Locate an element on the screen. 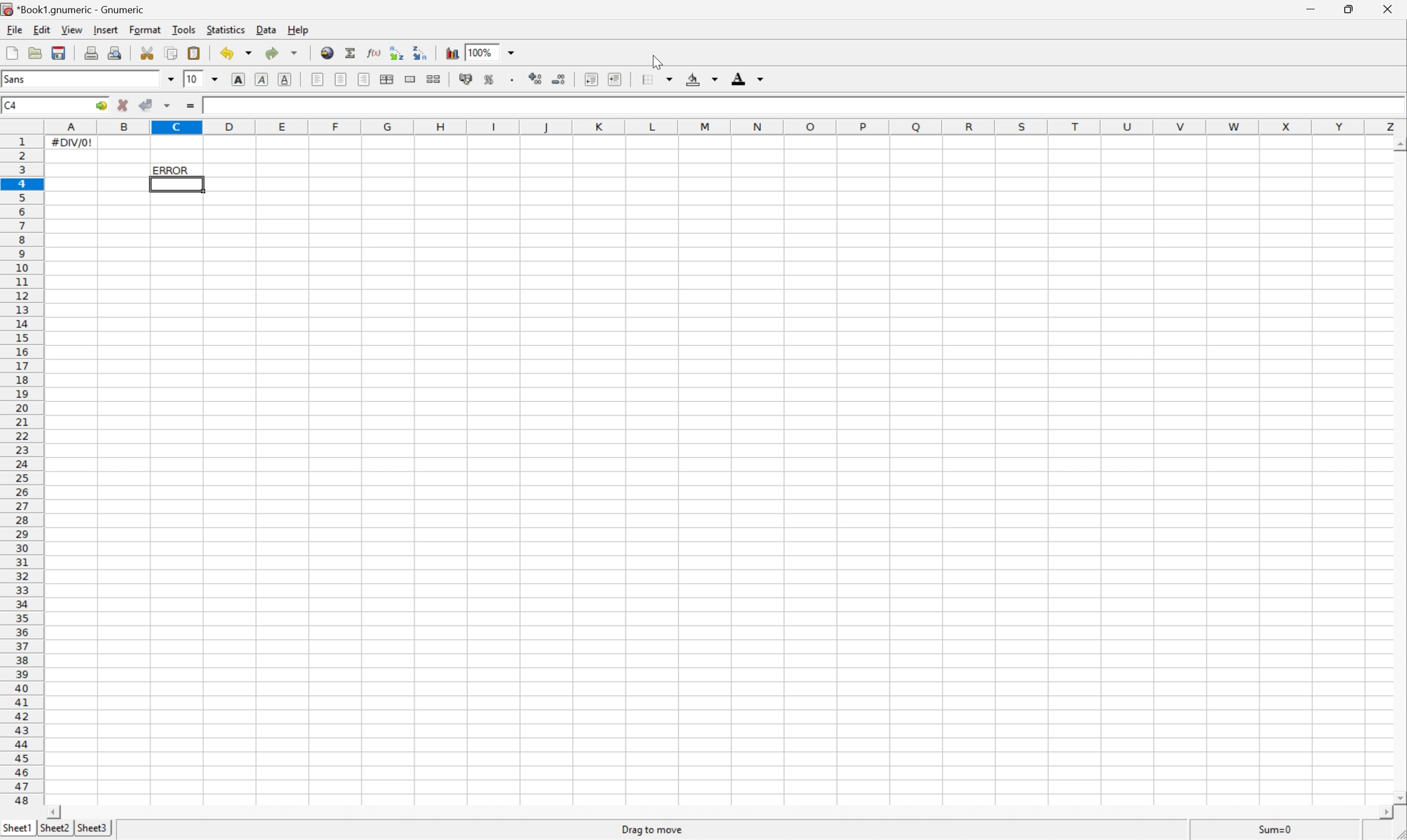 Image resolution: width=1407 pixels, height=840 pixels. Drop down is located at coordinates (251, 53).